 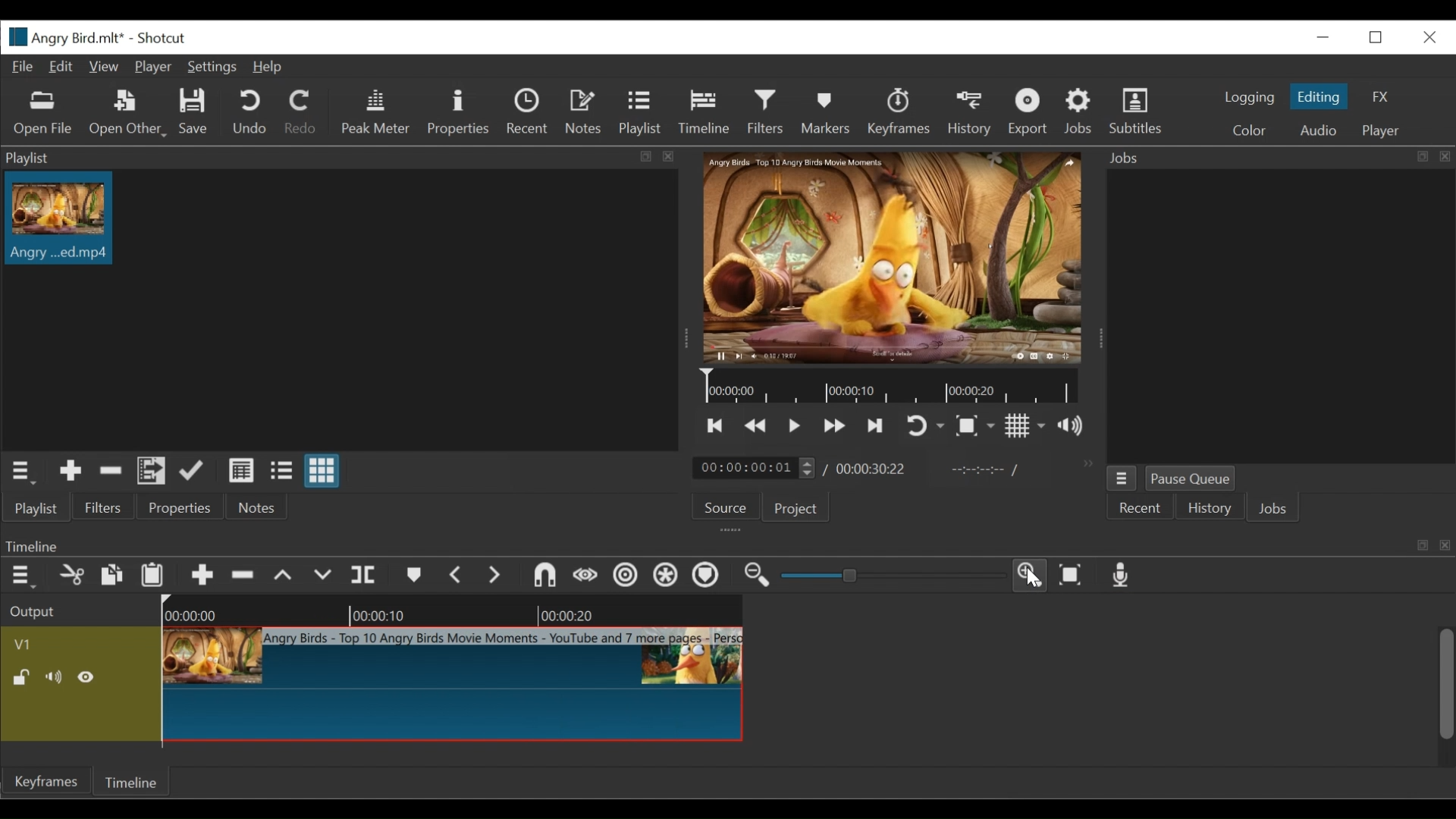 What do you see at coordinates (1125, 479) in the screenshot?
I see `Job menu` at bounding box center [1125, 479].